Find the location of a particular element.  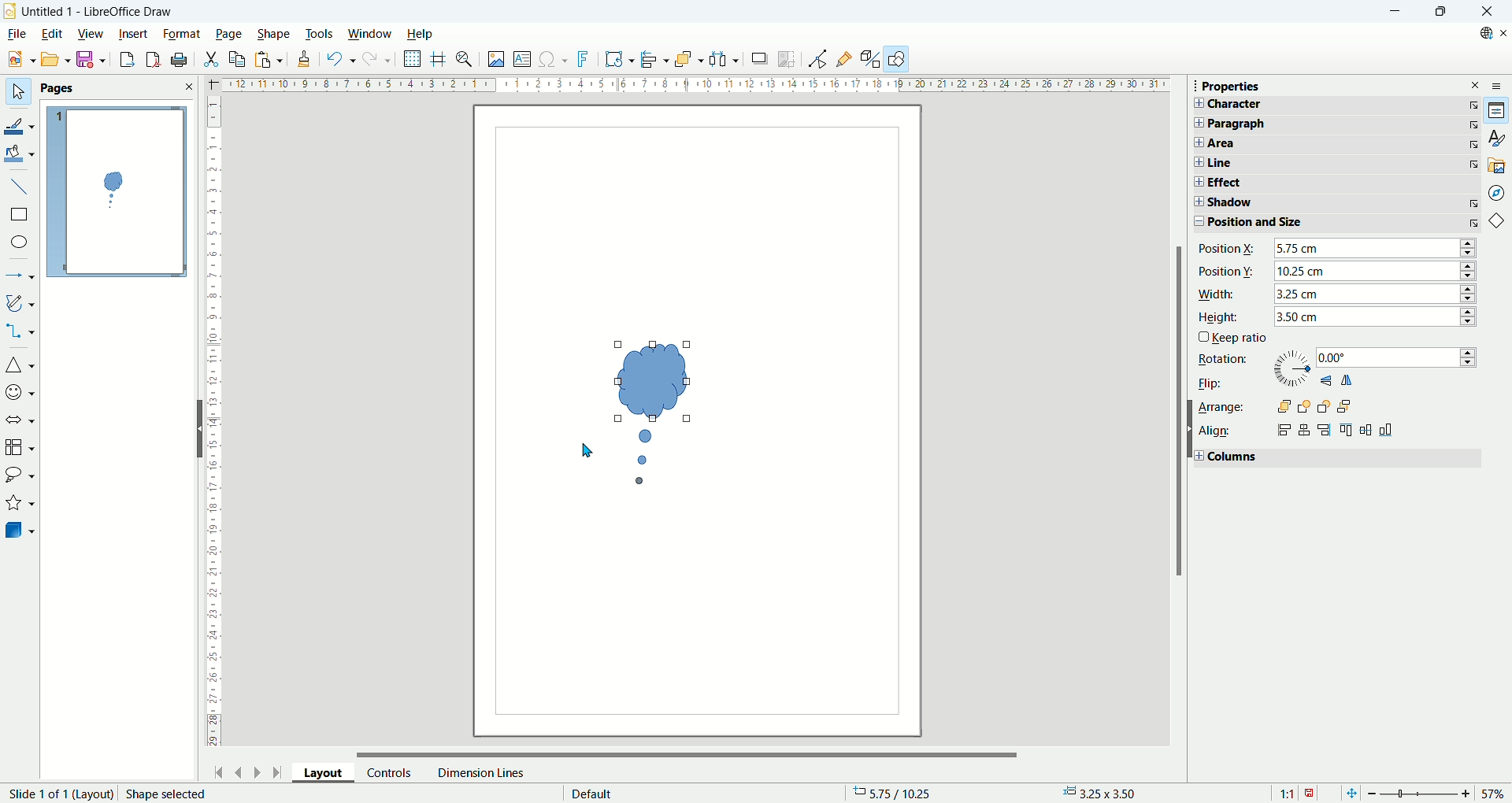

Character is located at coordinates (1277, 105).